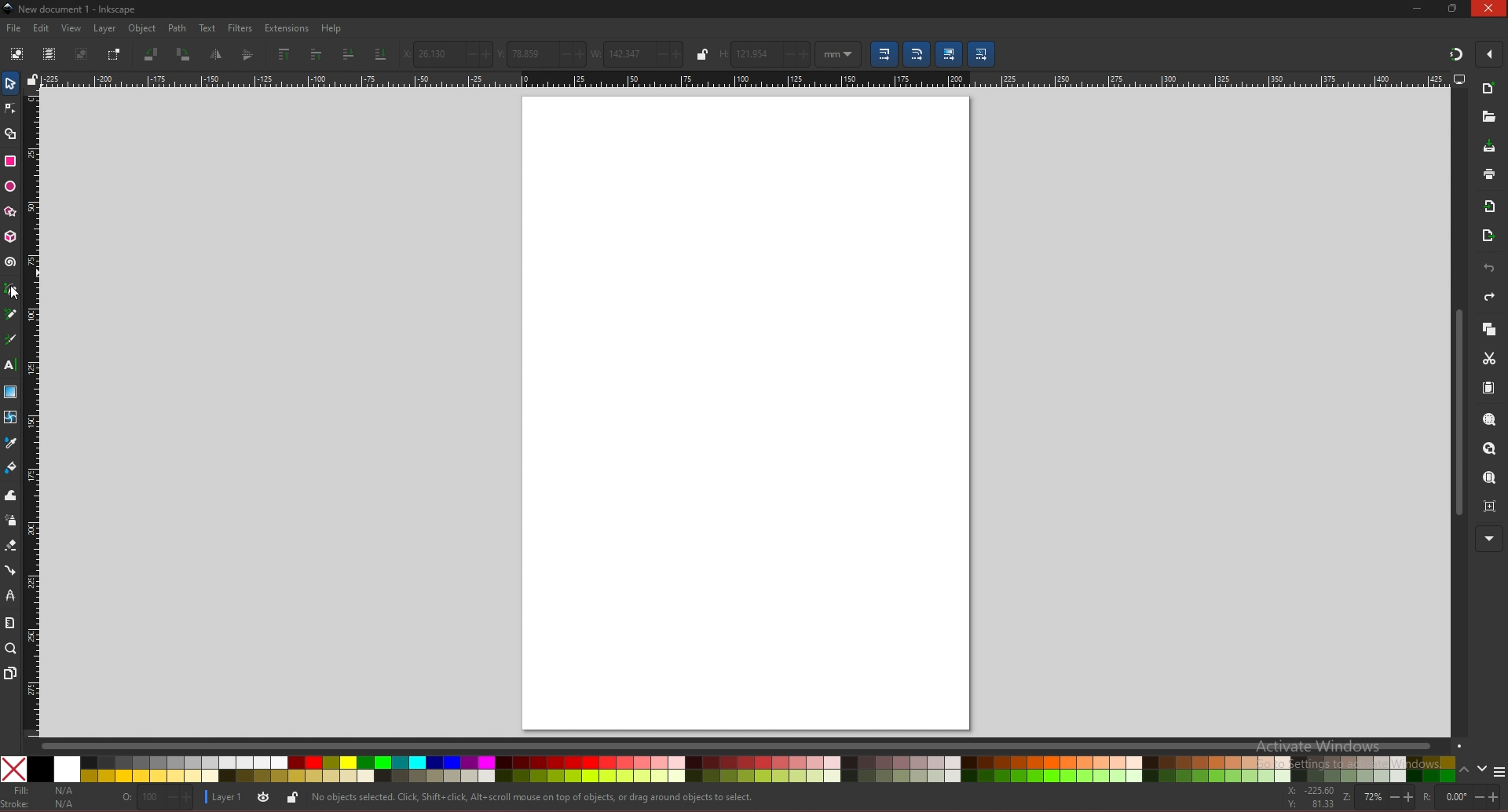  I want to click on rotate 90 degree cw, so click(184, 56).